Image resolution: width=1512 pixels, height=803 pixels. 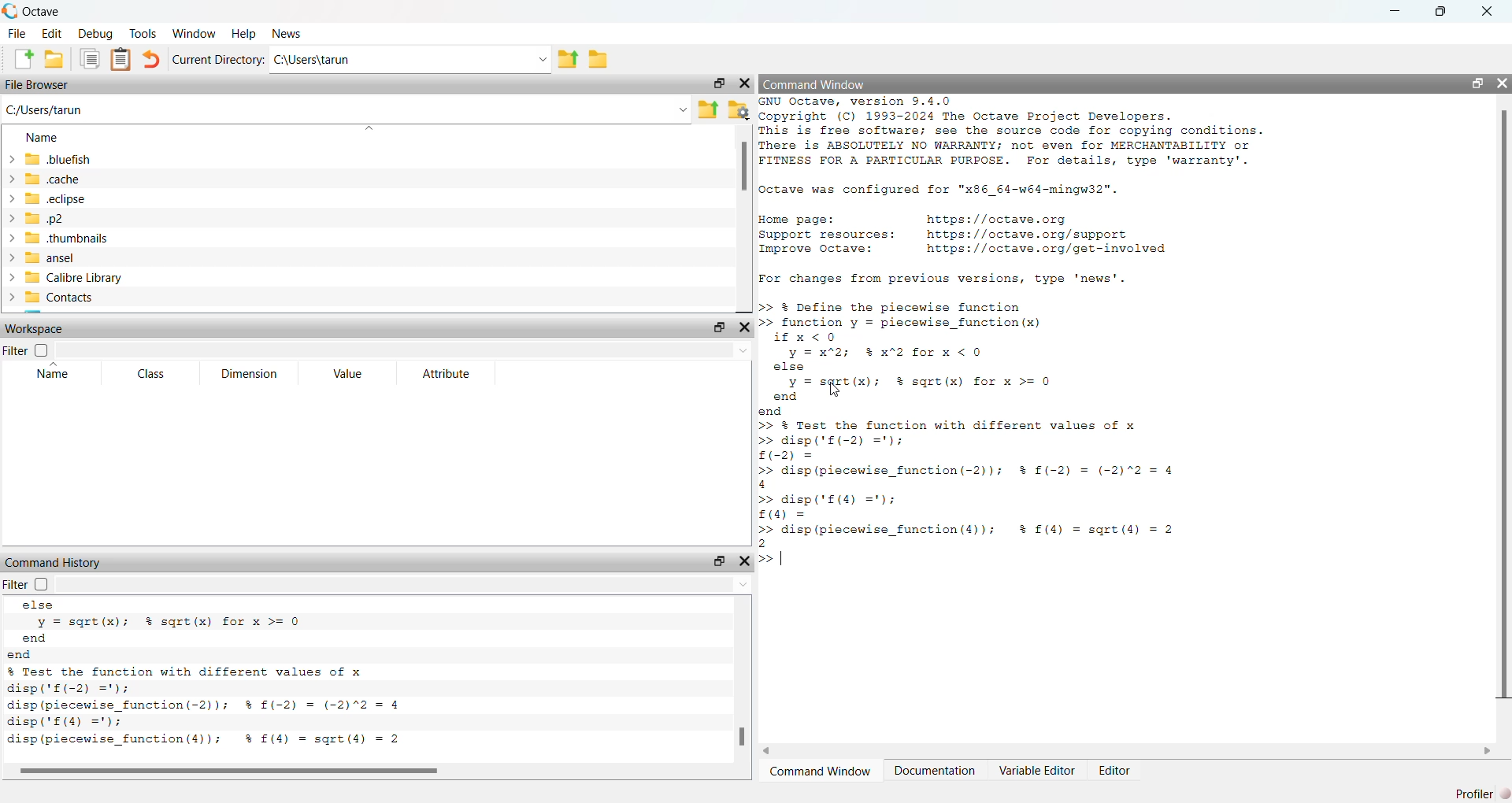 What do you see at coordinates (770, 749) in the screenshot?
I see `Left` at bounding box center [770, 749].